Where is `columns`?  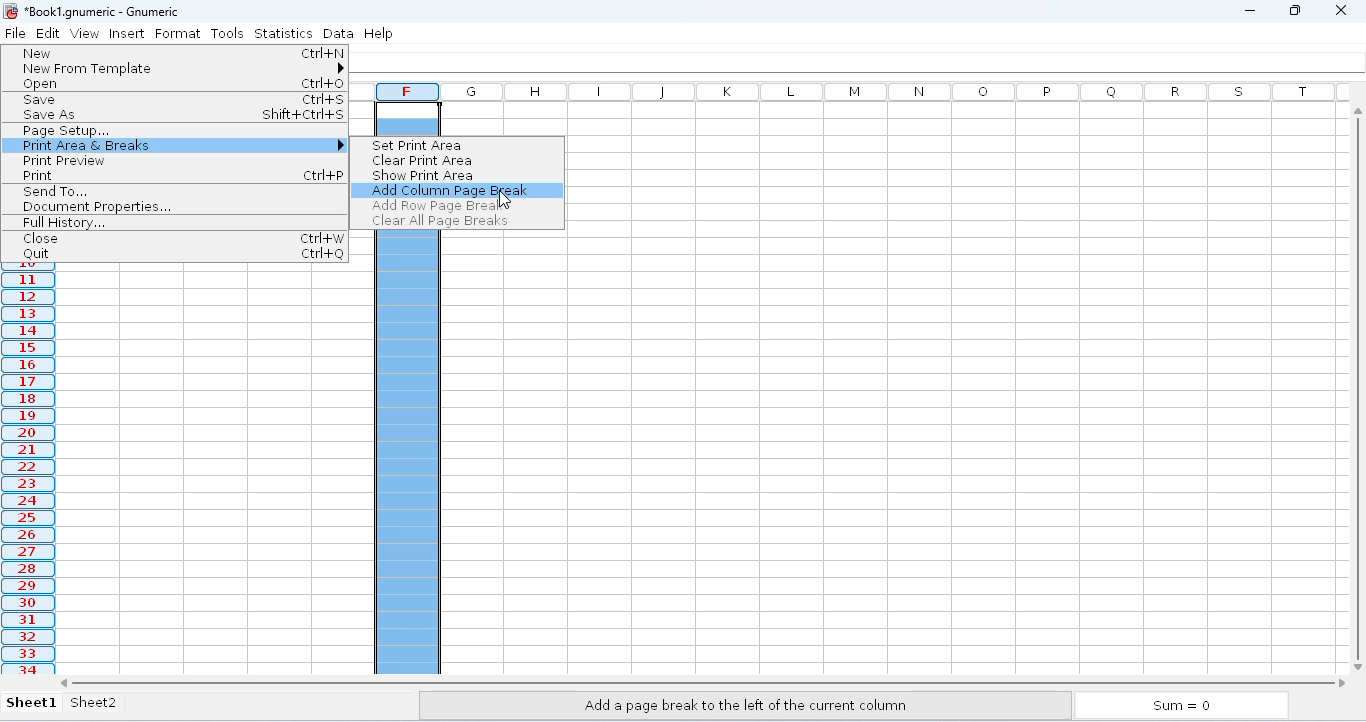
columns is located at coordinates (895, 91).